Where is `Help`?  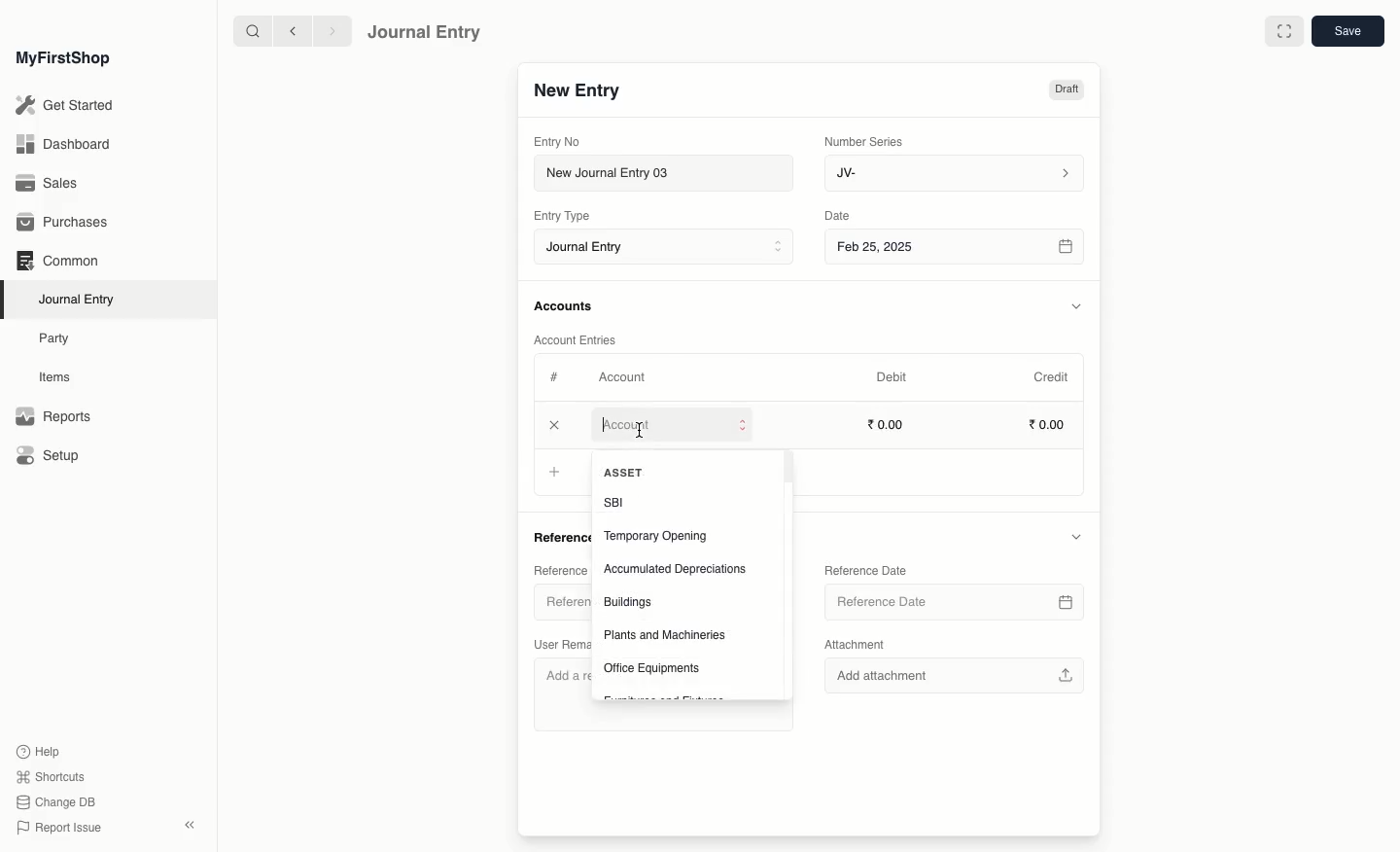
Help is located at coordinates (36, 750).